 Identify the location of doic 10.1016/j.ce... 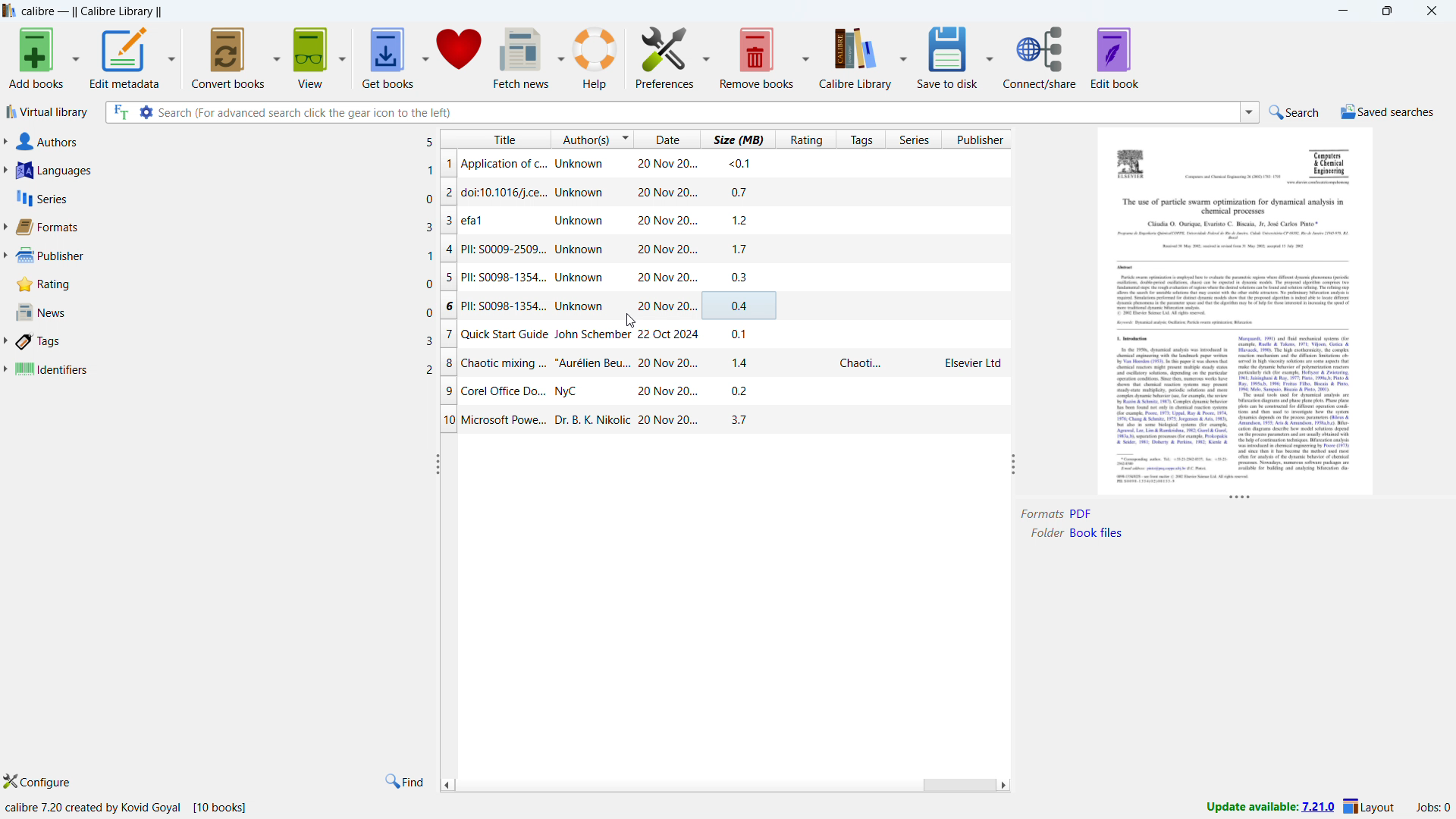
(689, 191).